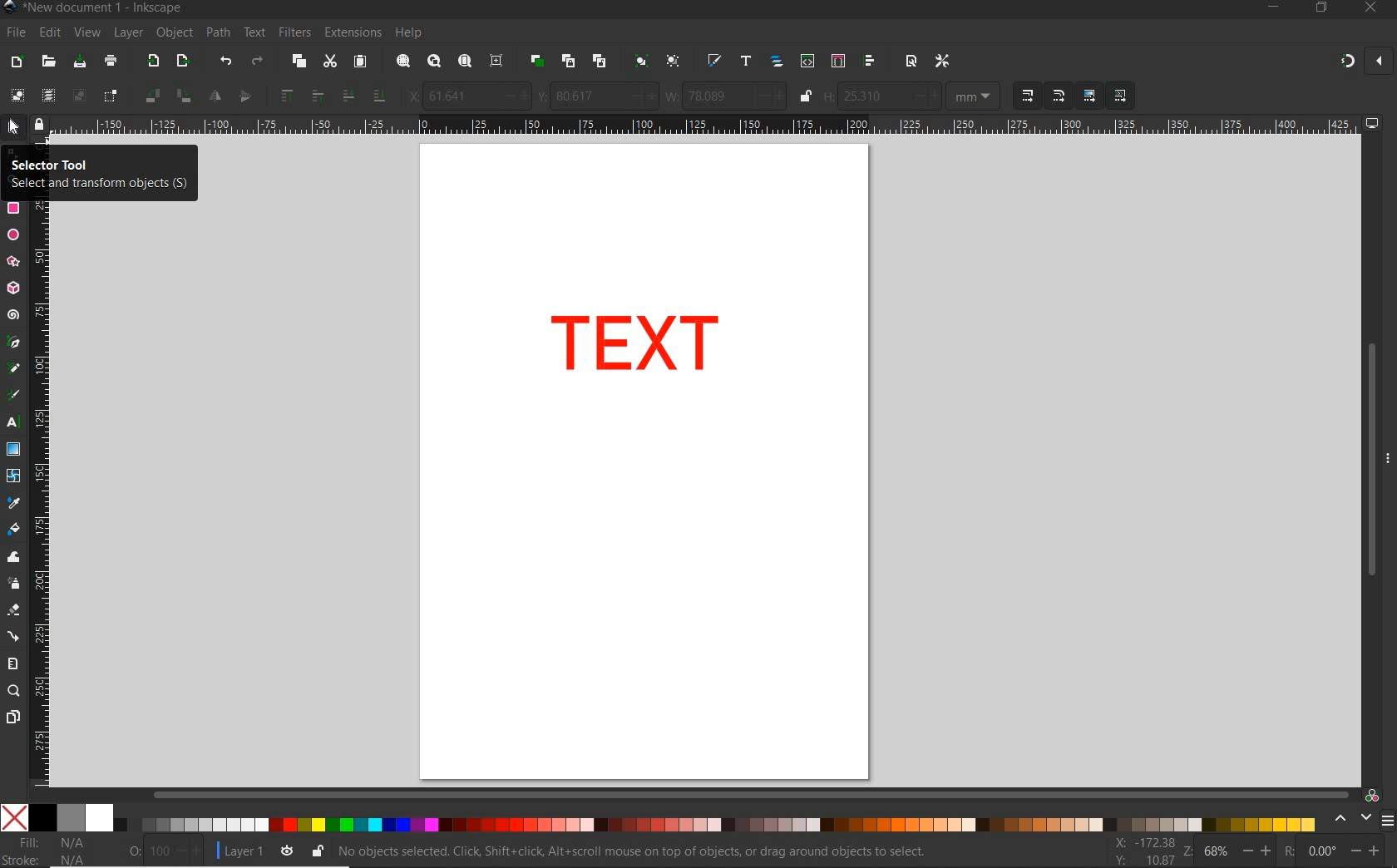 The height and width of the screenshot is (868, 1397). Describe the element at coordinates (257, 61) in the screenshot. I see `redo` at that location.